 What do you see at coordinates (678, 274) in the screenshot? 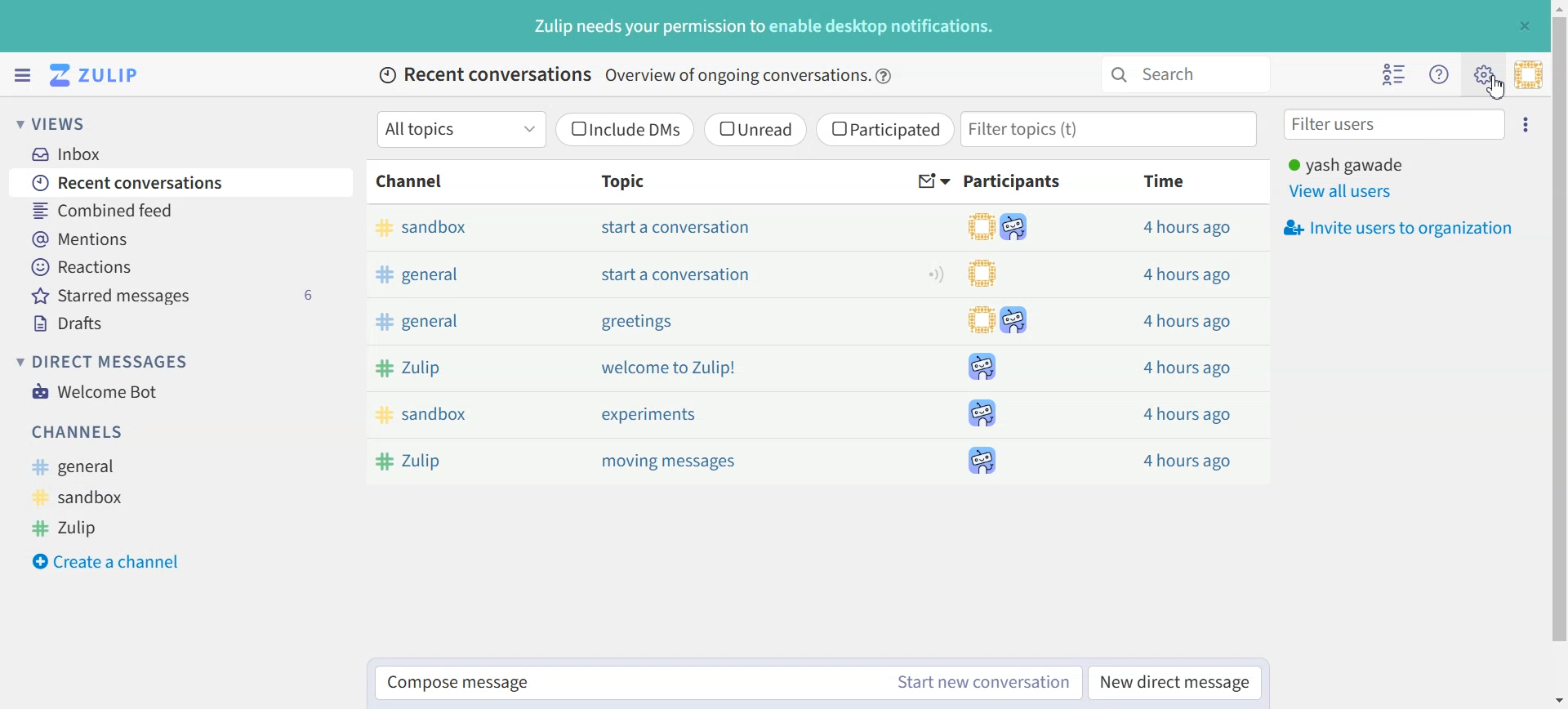
I see `Start a conversation` at bounding box center [678, 274].